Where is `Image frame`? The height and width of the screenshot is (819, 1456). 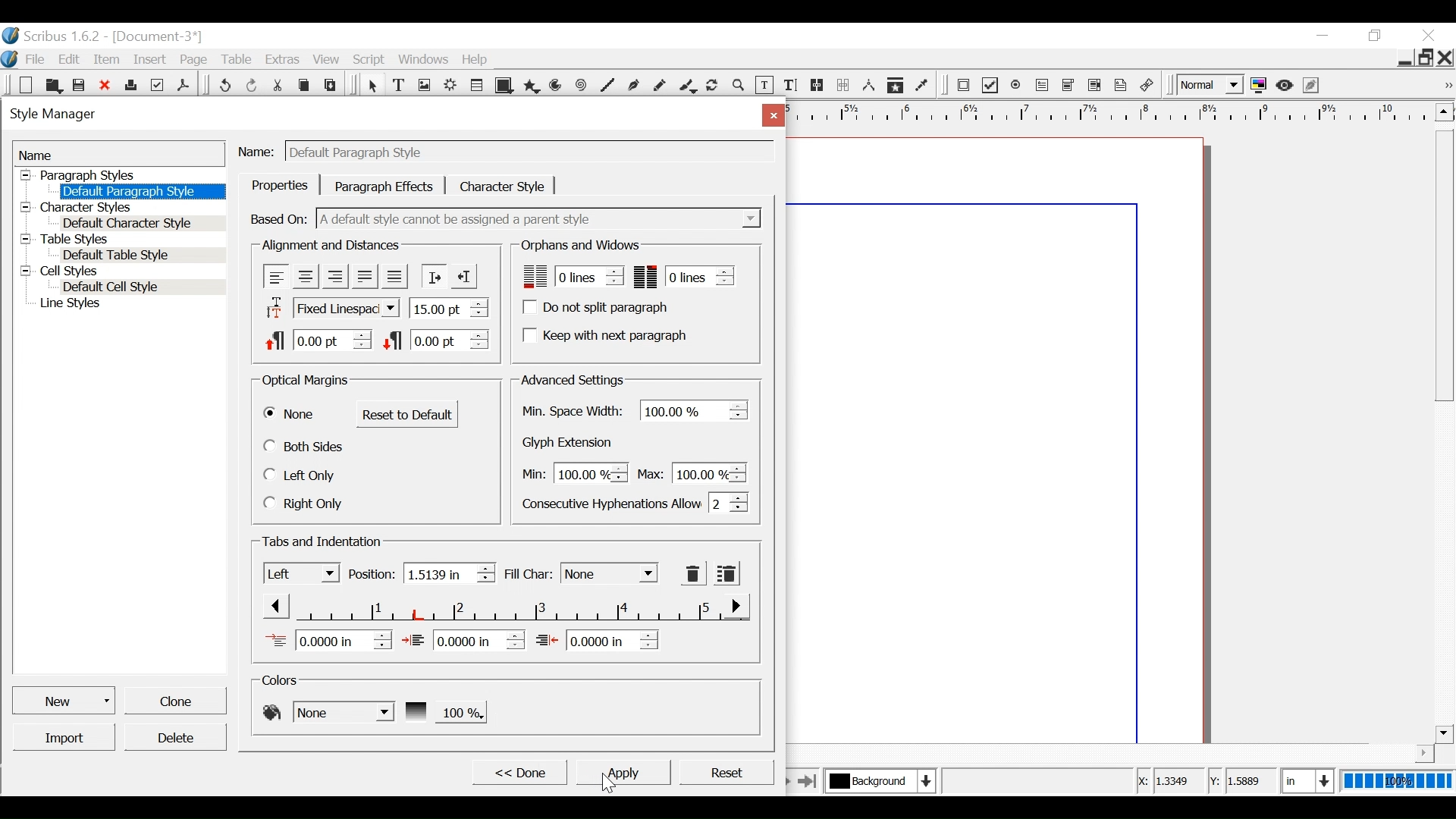 Image frame is located at coordinates (424, 86).